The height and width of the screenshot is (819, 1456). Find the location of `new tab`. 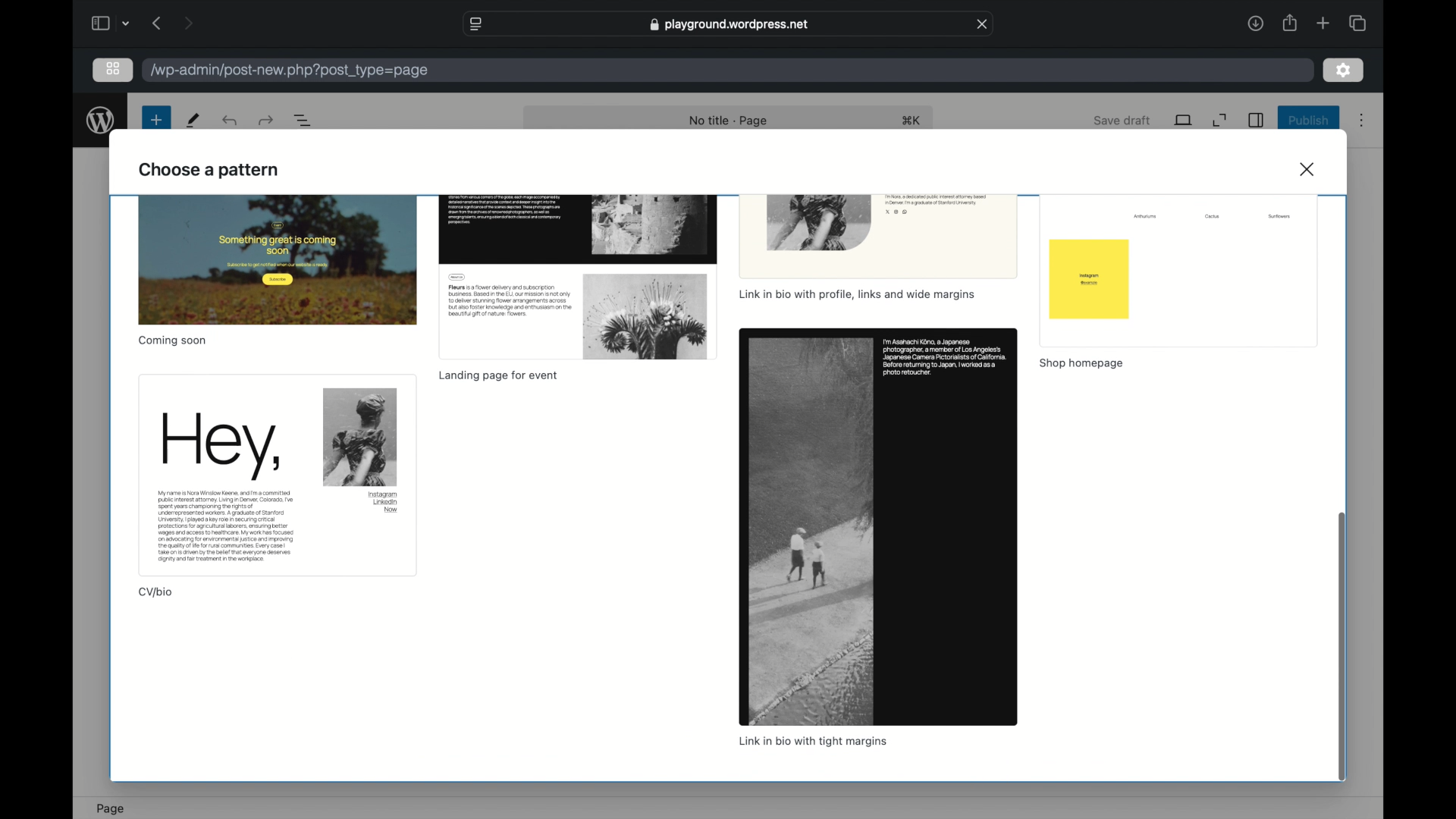

new tab is located at coordinates (1323, 23).